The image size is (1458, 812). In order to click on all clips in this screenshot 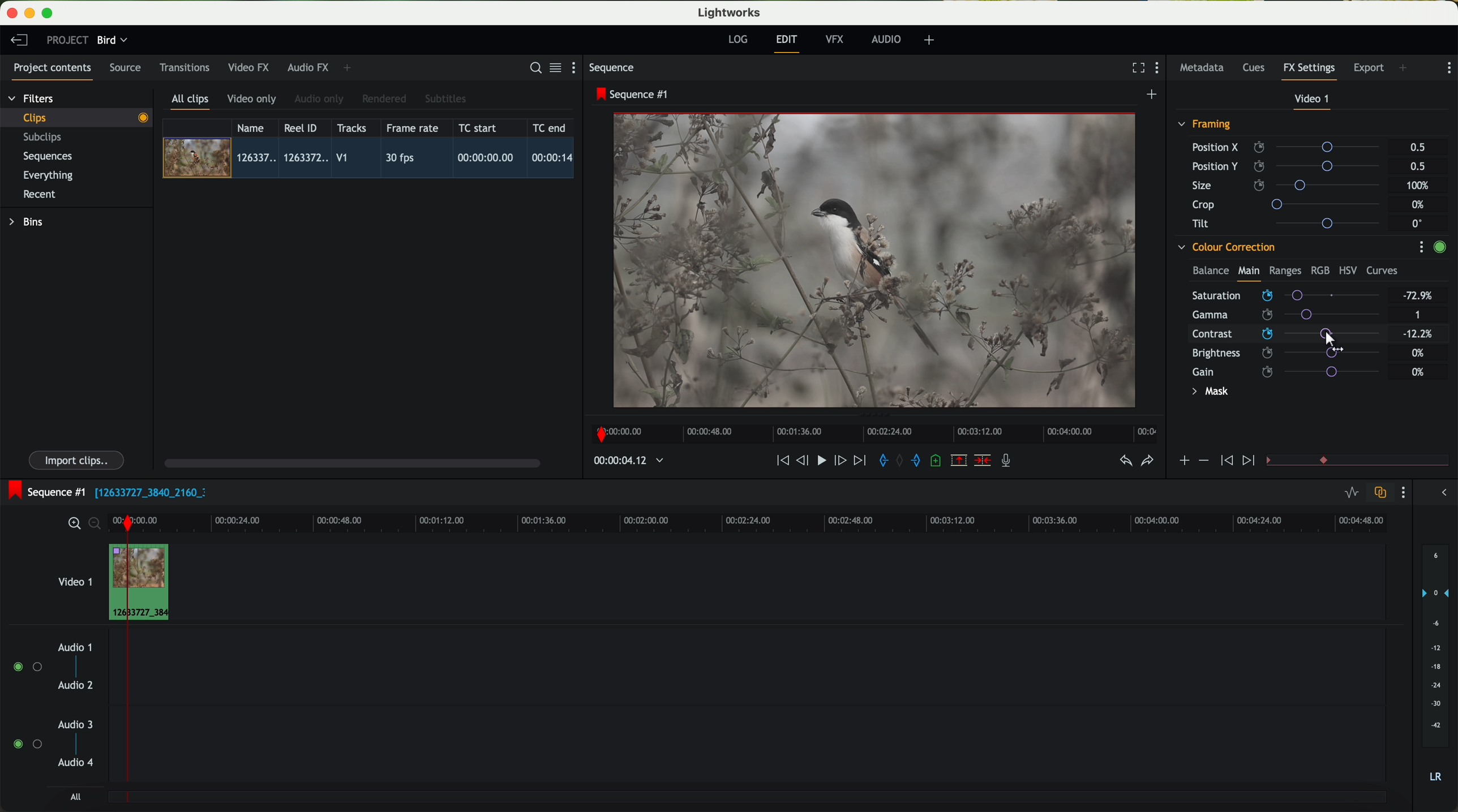, I will do `click(191, 102)`.